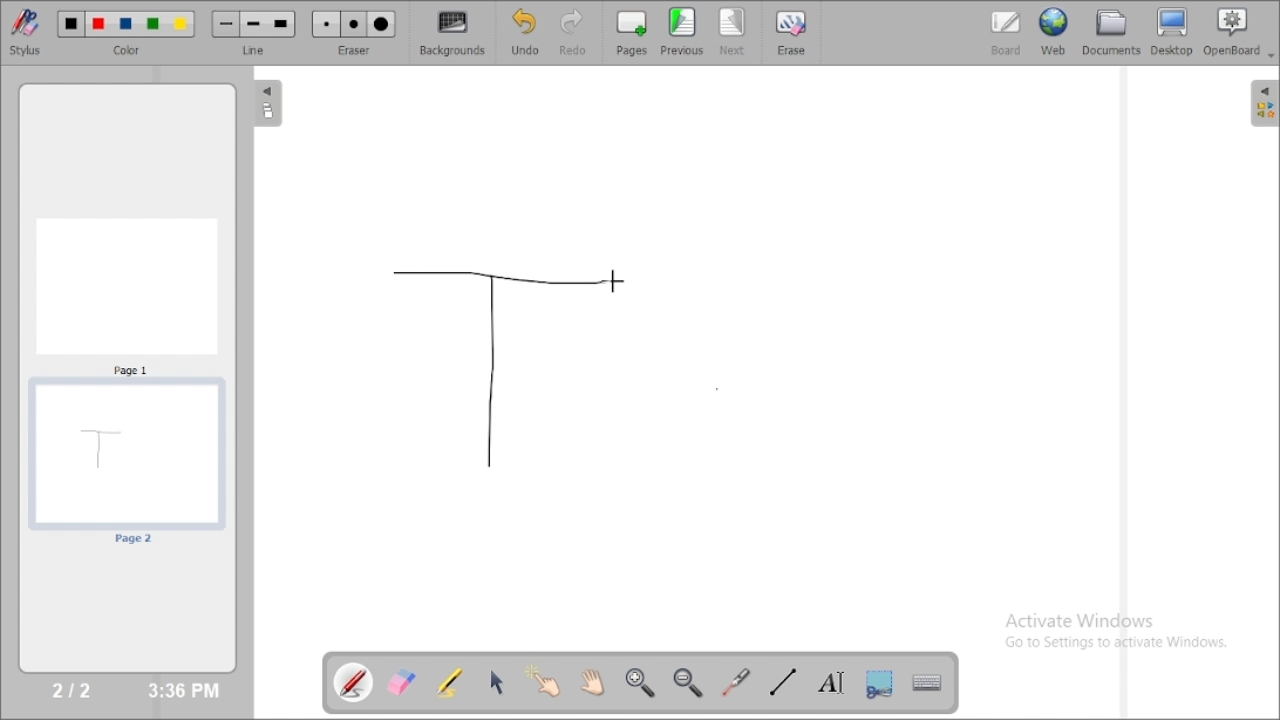 The height and width of the screenshot is (720, 1280). What do you see at coordinates (1122, 634) in the screenshot?
I see `Activate Windows
Go to Settings to activate Windows.` at bounding box center [1122, 634].